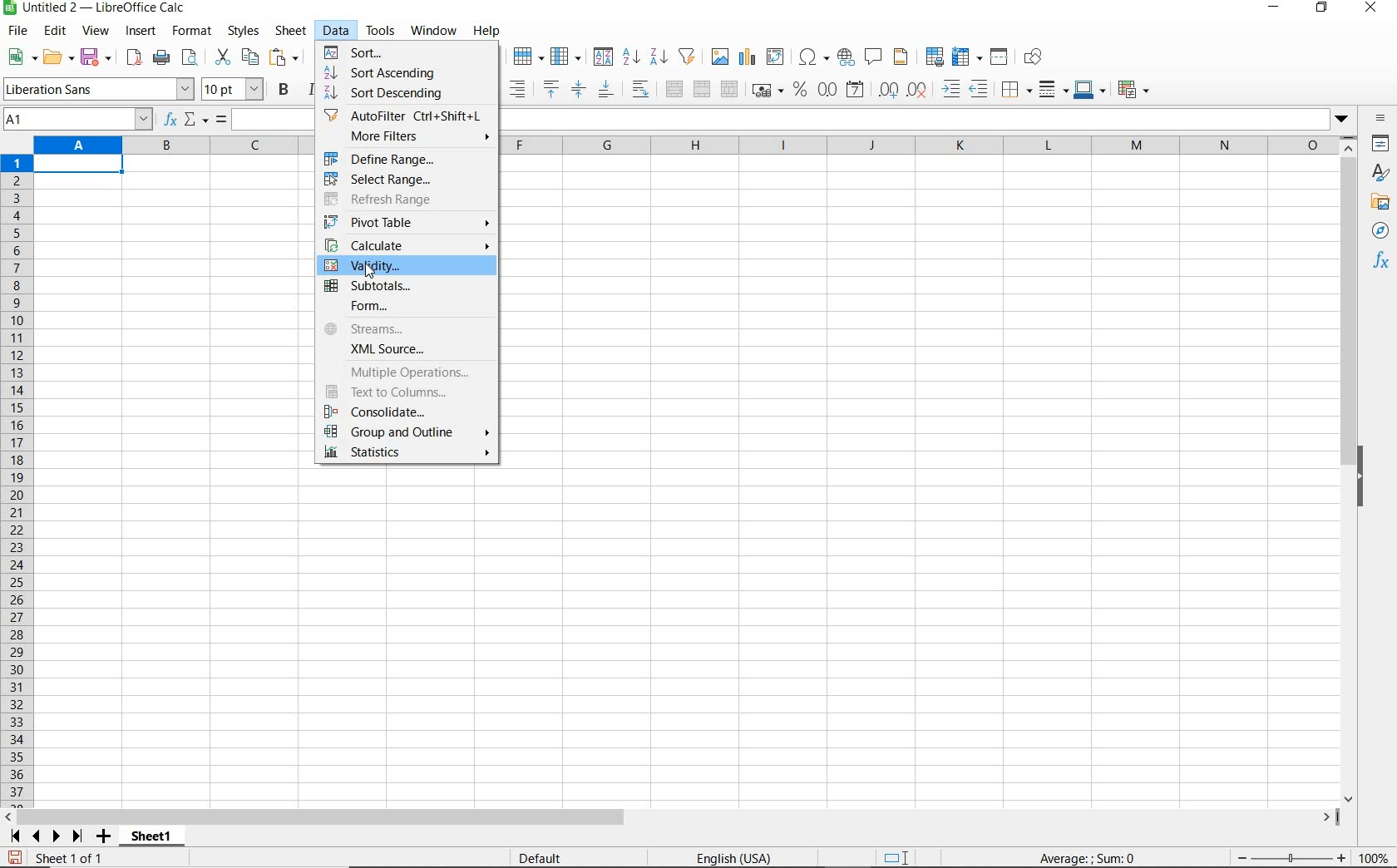 The image size is (1397, 868). I want to click on refresh range, so click(397, 200).